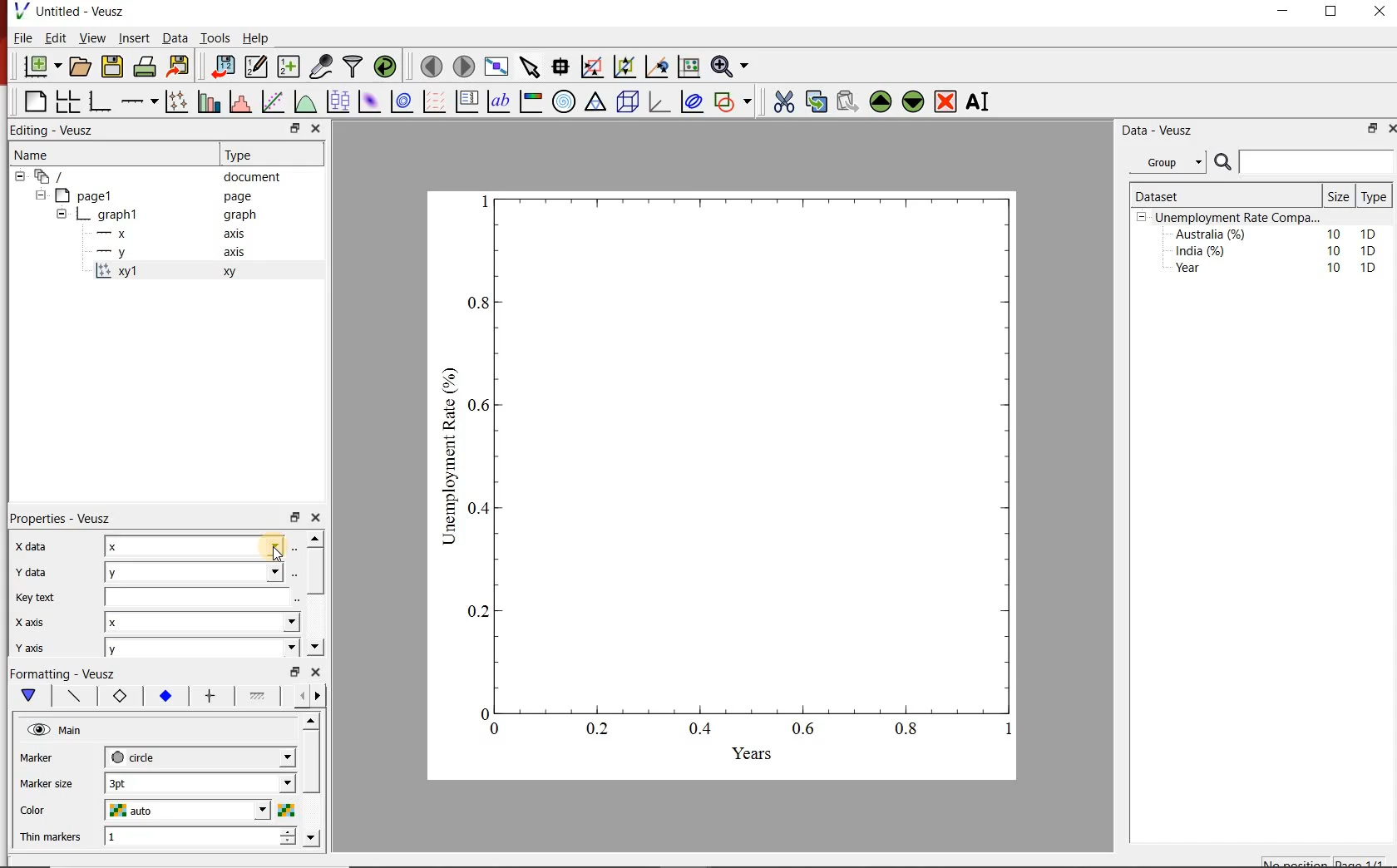 The image size is (1397, 868). Describe the element at coordinates (186, 837) in the screenshot. I see `1` at that location.